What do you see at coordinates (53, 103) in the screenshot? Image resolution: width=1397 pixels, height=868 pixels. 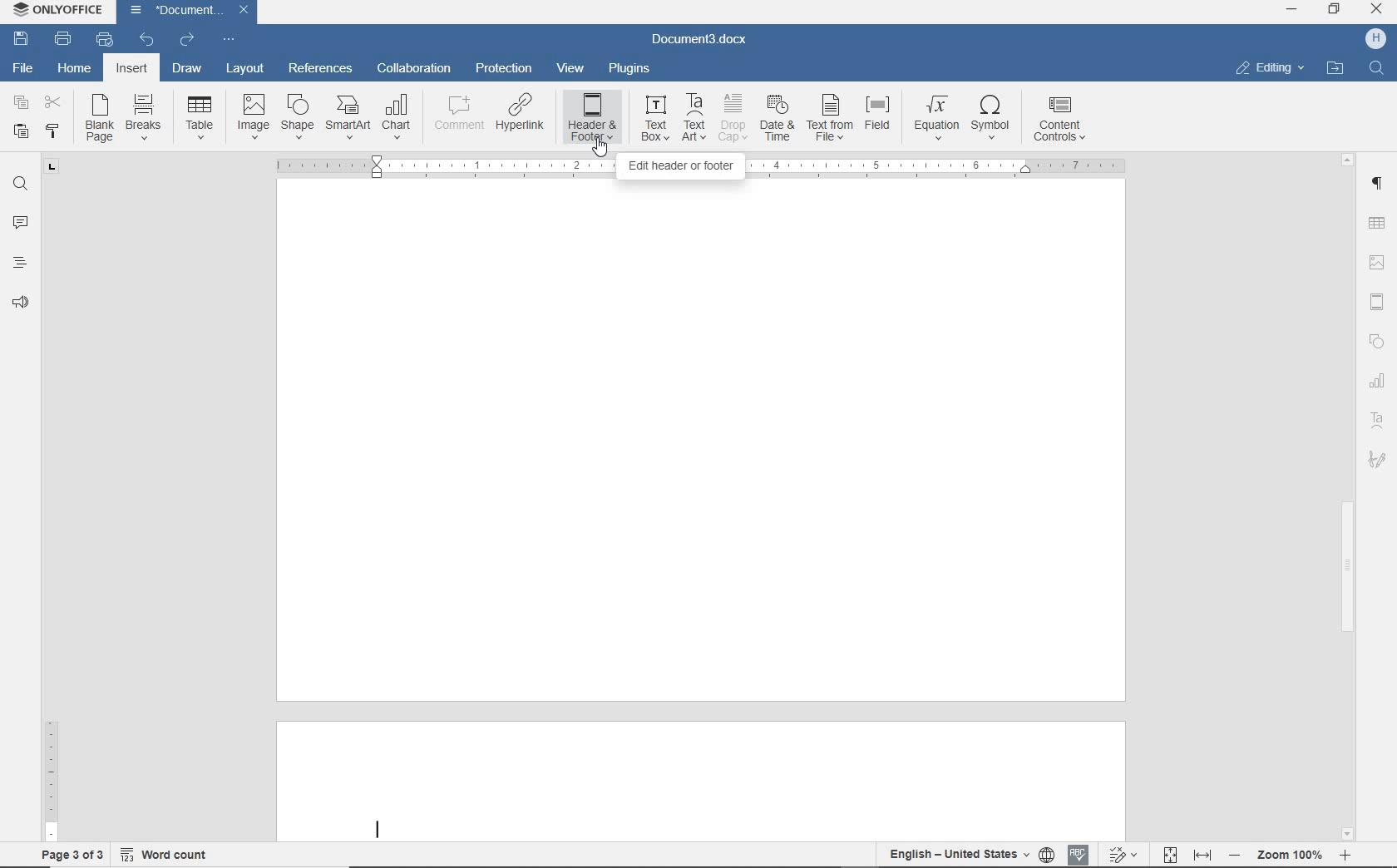 I see `CUT` at bounding box center [53, 103].